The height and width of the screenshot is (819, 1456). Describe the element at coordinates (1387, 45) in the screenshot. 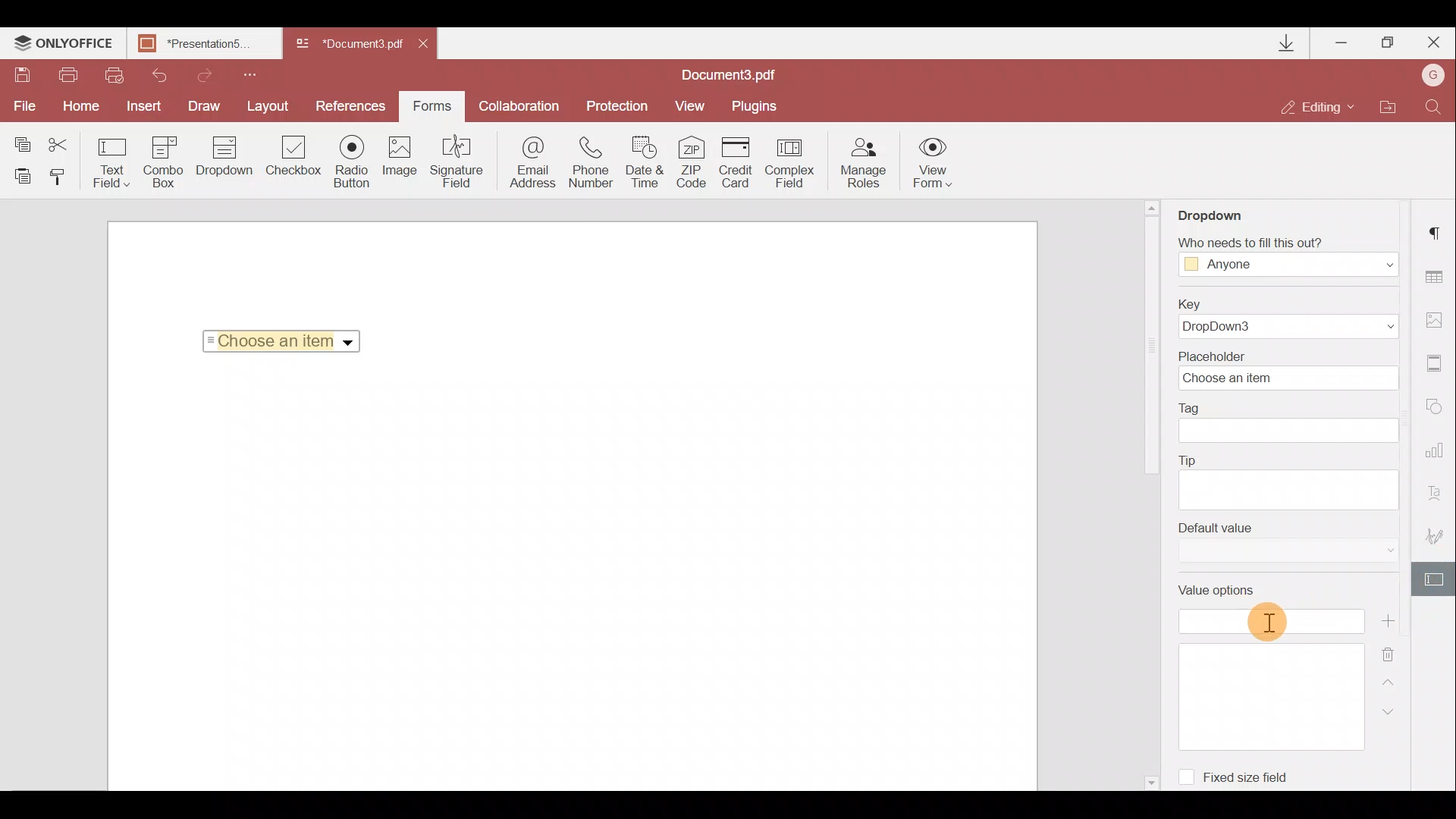

I see `Maximize` at that location.